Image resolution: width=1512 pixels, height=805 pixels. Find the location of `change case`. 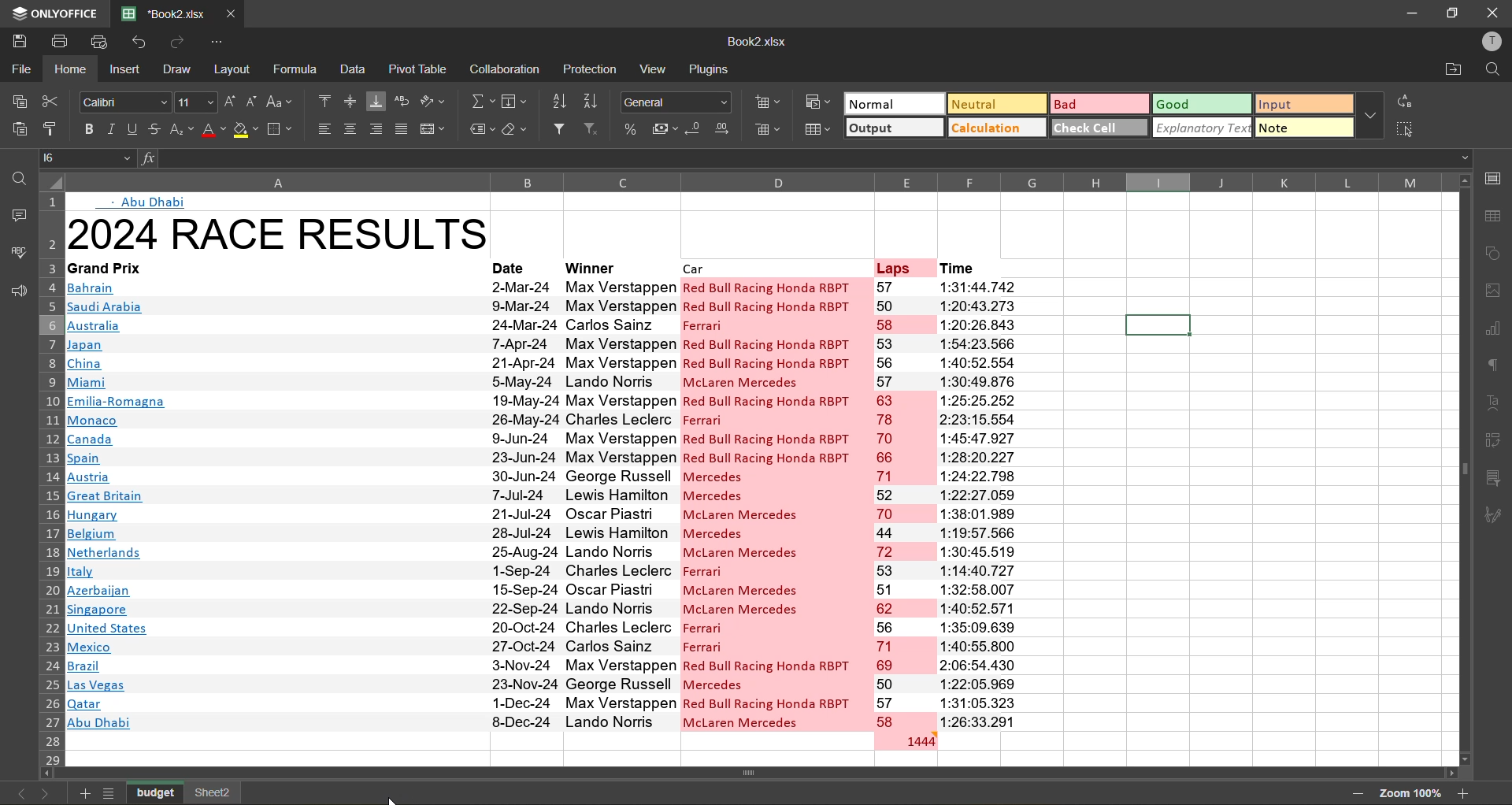

change case is located at coordinates (283, 102).